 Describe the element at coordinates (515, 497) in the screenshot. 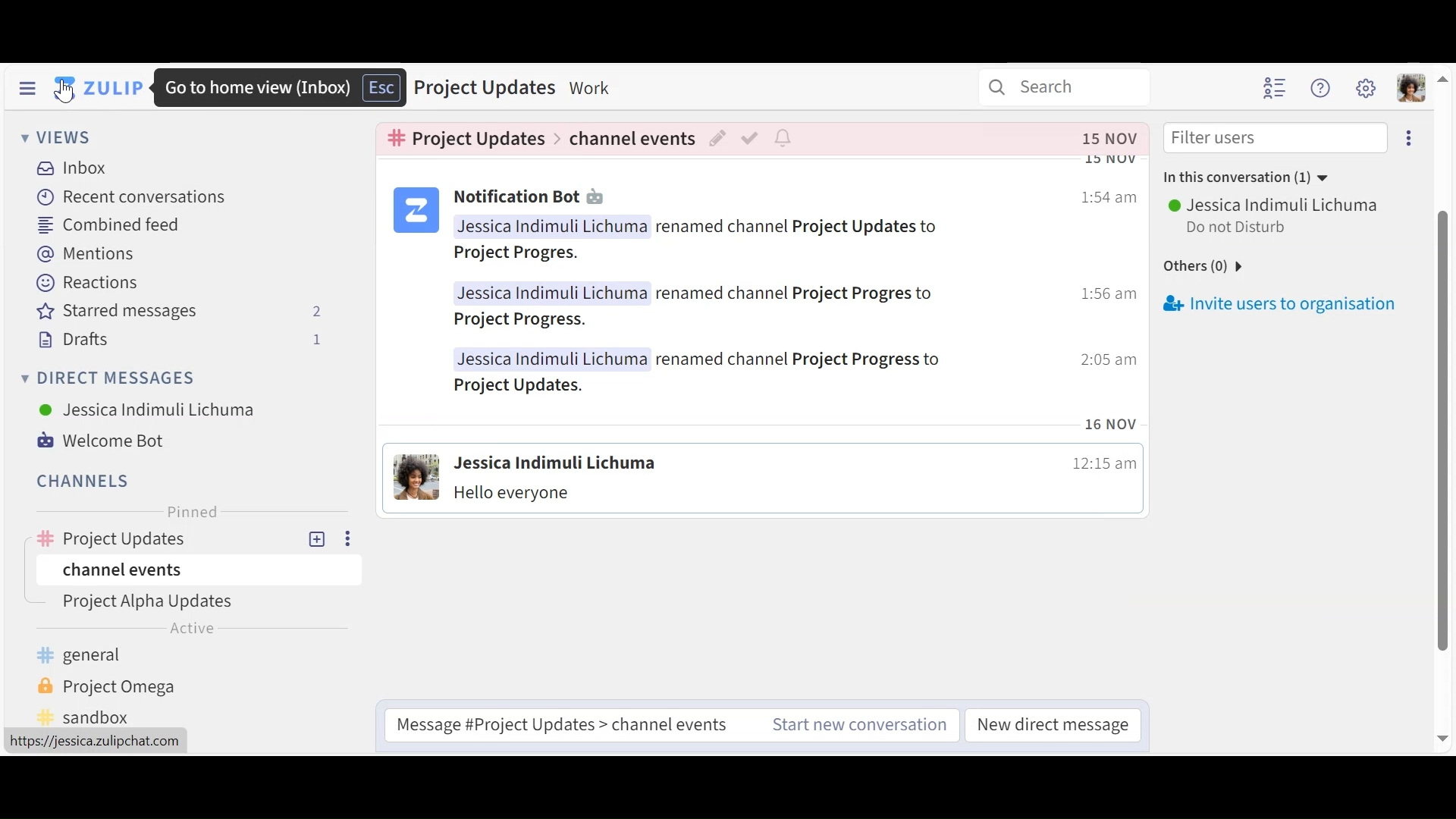

I see `message` at that location.